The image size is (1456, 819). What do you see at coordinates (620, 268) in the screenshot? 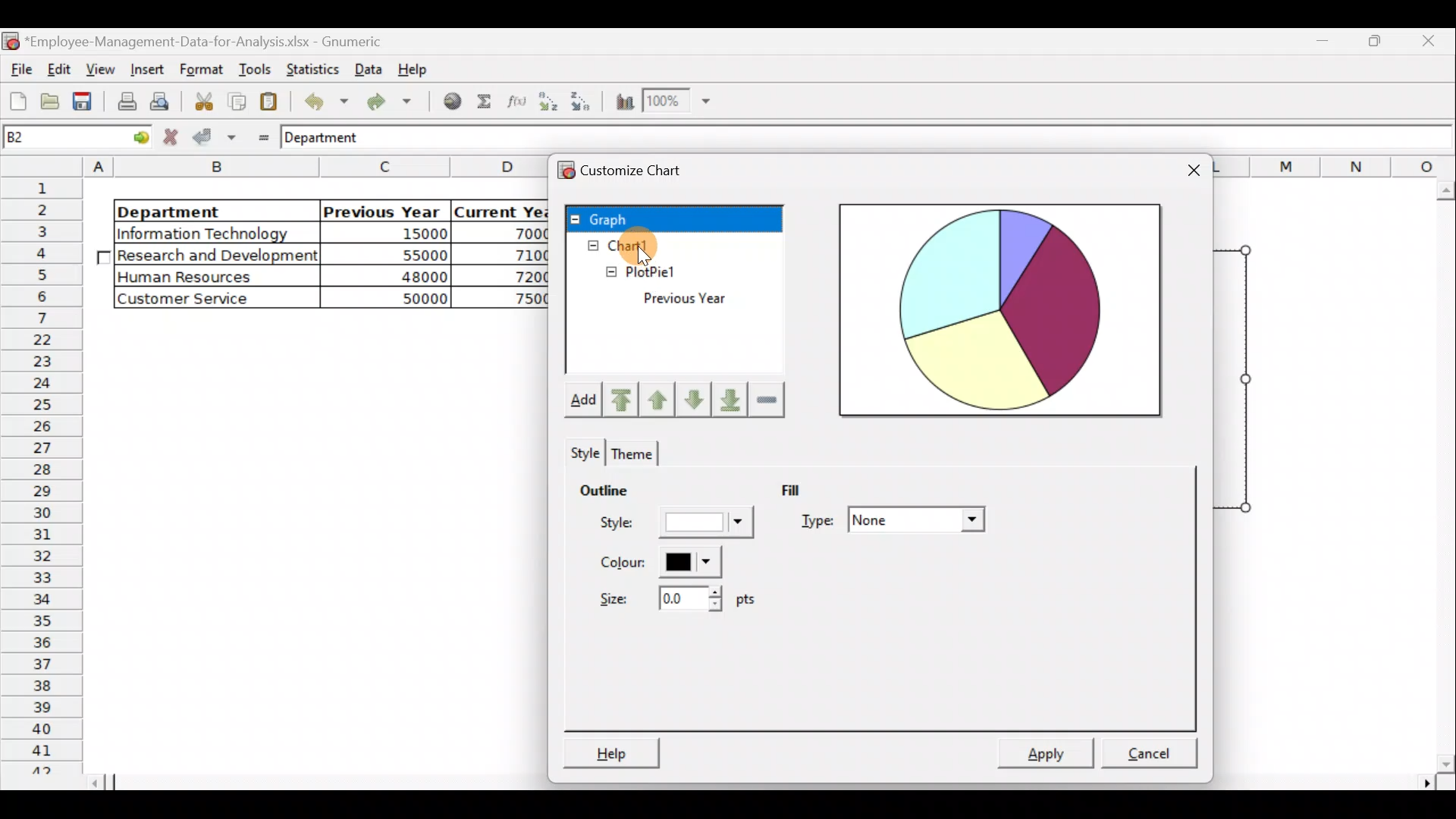
I see `PlotPie1` at bounding box center [620, 268].